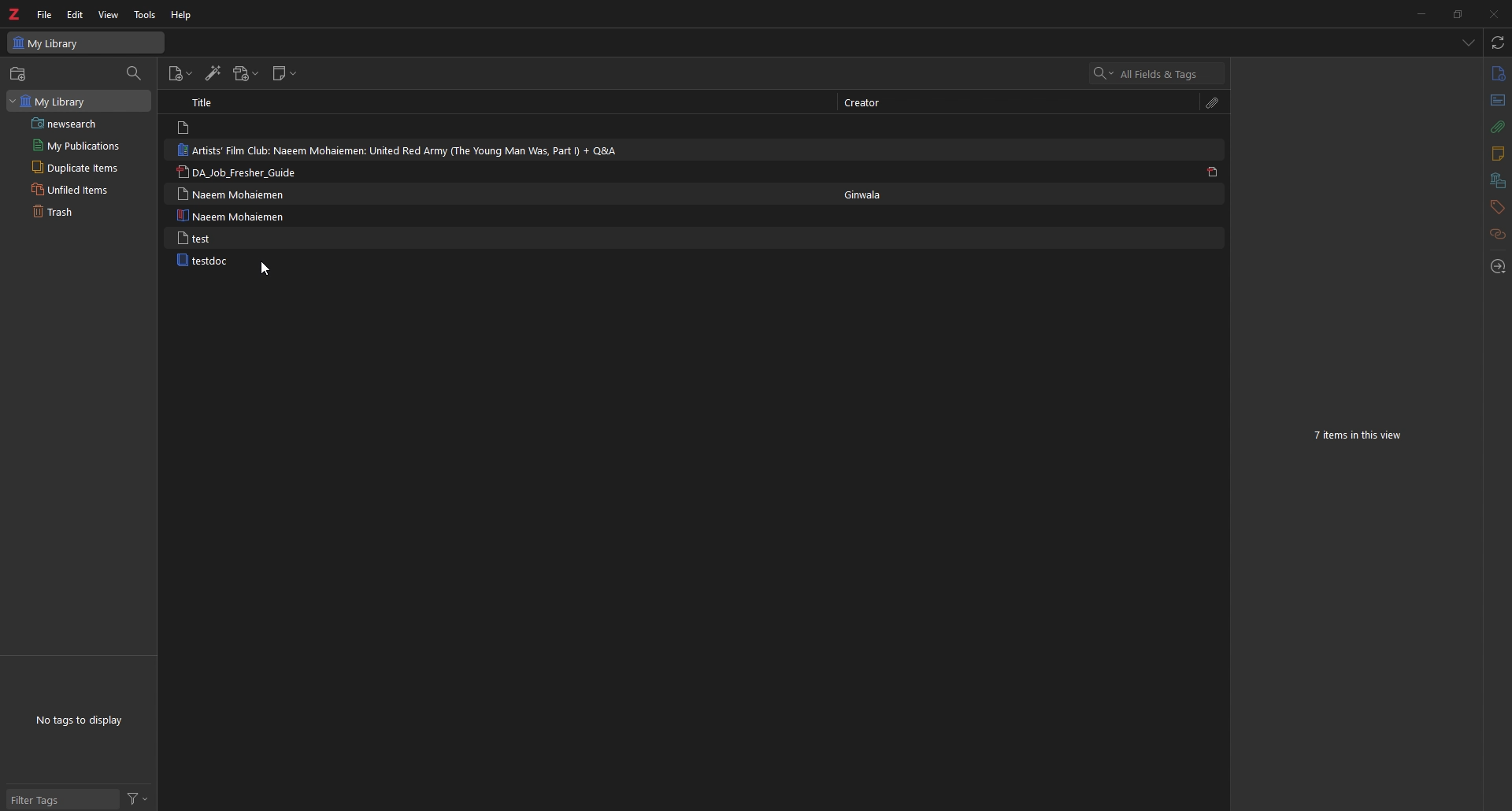 The image size is (1512, 811). Describe the element at coordinates (135, 73) in the screenshot. I see `filter items` at that location.